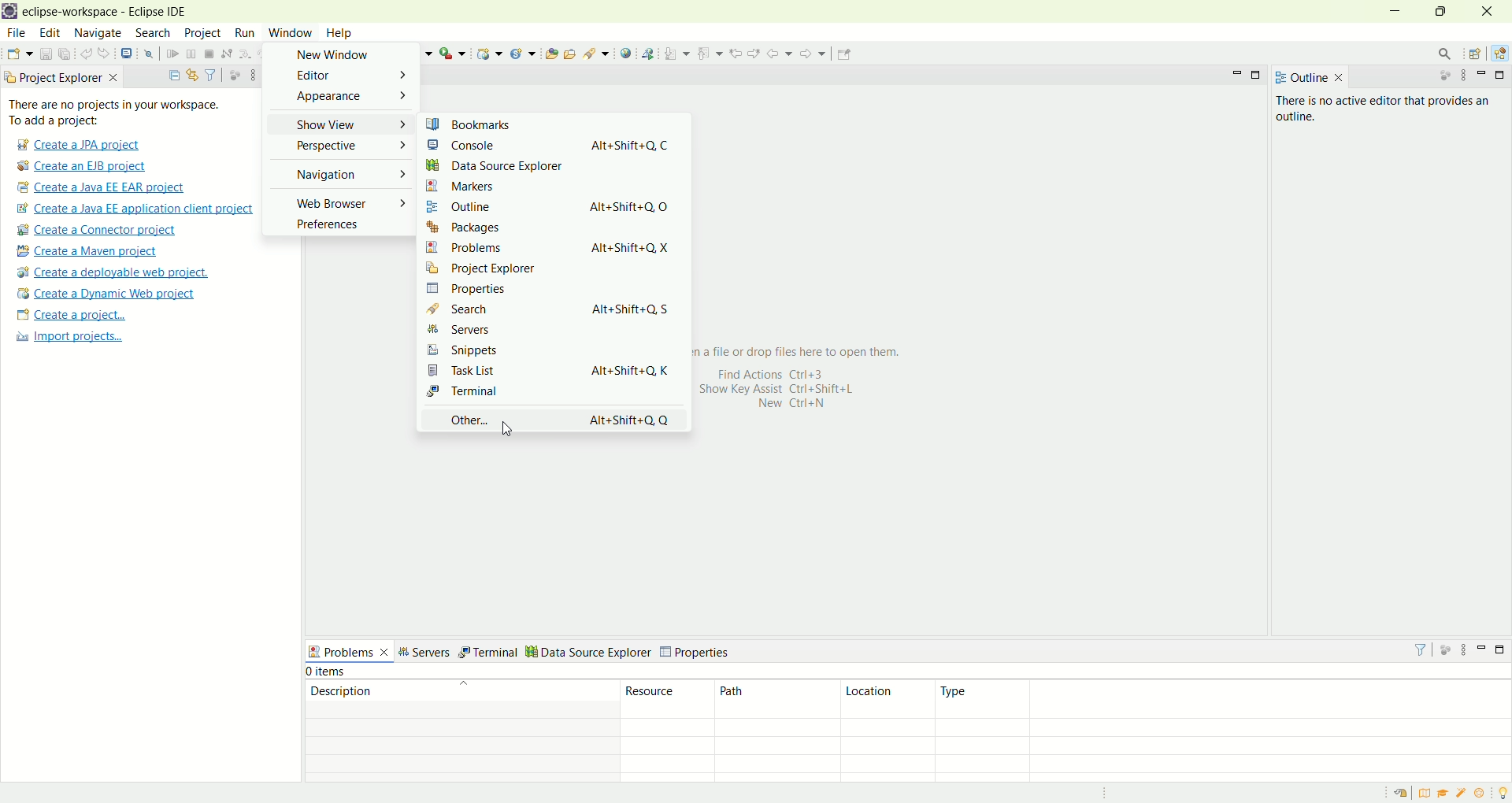 The image size is (1512, 803). What do you see at coordinates (113, 272) in the screenshot?
I see `create a deployable web project` at bounding box center [113, 272].